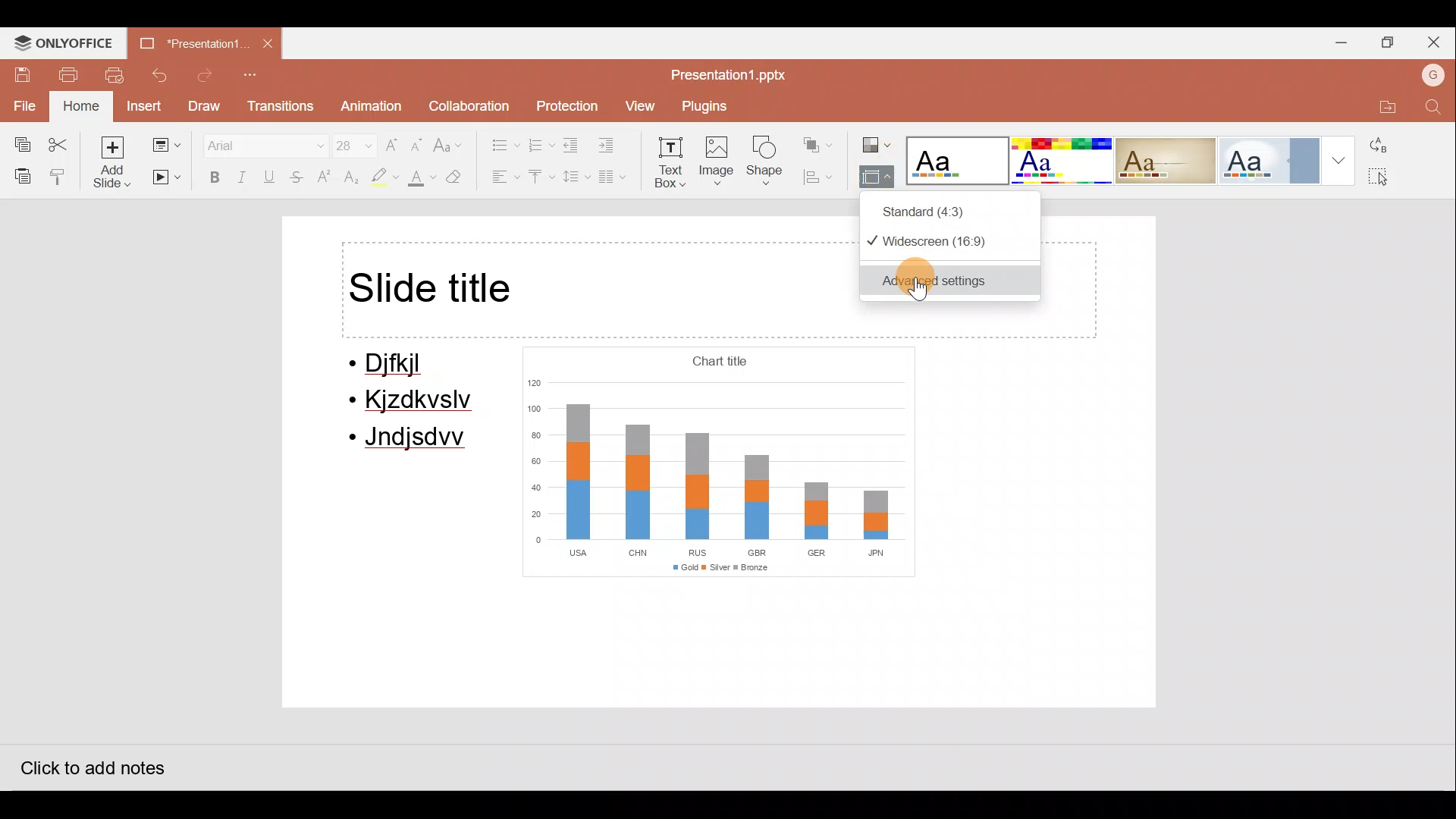  Describe the element at coordinates (948, 241) in the screenshot. I see `Widescreen` at that location.